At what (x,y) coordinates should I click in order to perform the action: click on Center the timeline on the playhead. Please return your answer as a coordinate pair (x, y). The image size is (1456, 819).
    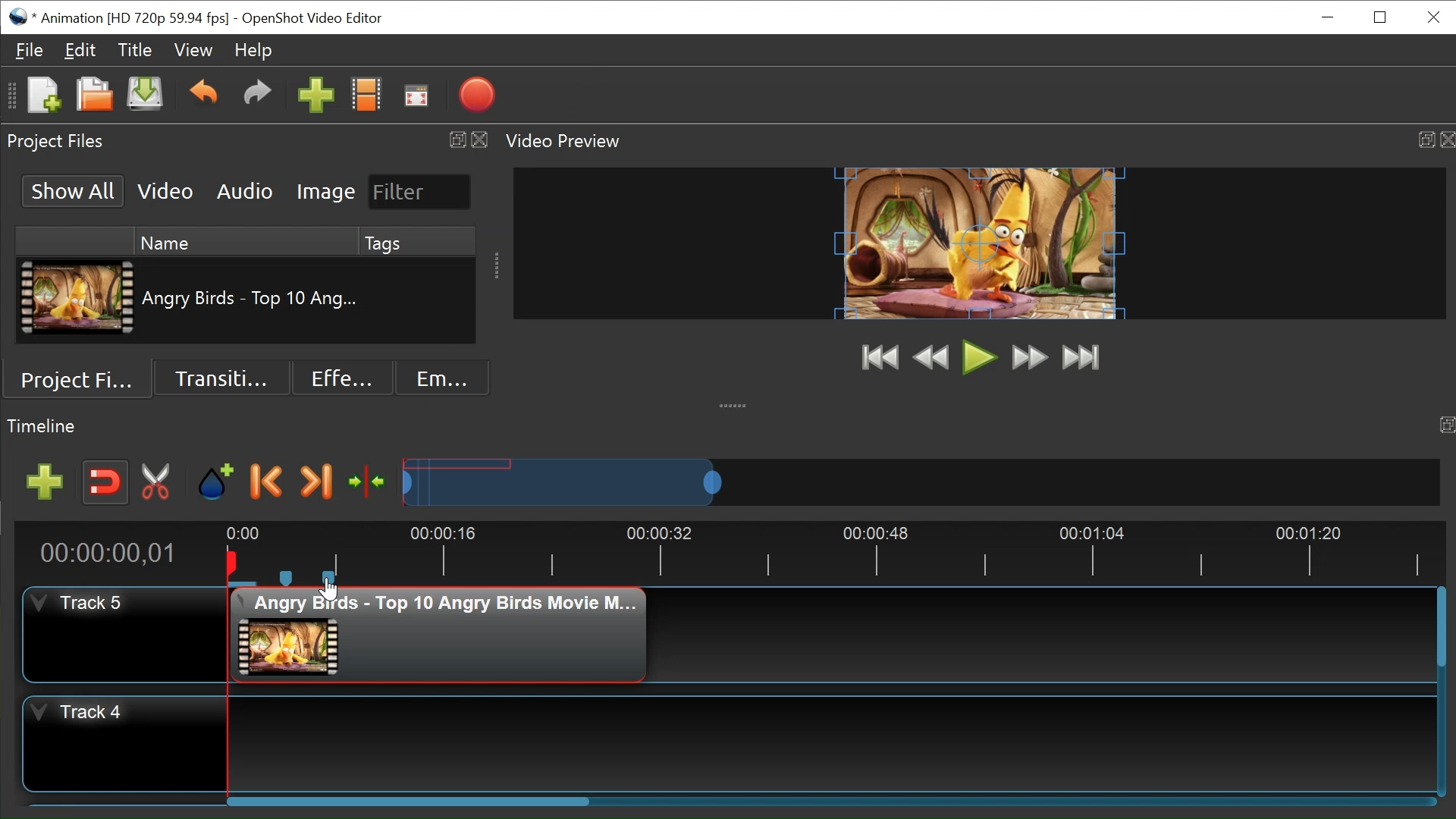
    Looking at the image, I should click on (368, 482).